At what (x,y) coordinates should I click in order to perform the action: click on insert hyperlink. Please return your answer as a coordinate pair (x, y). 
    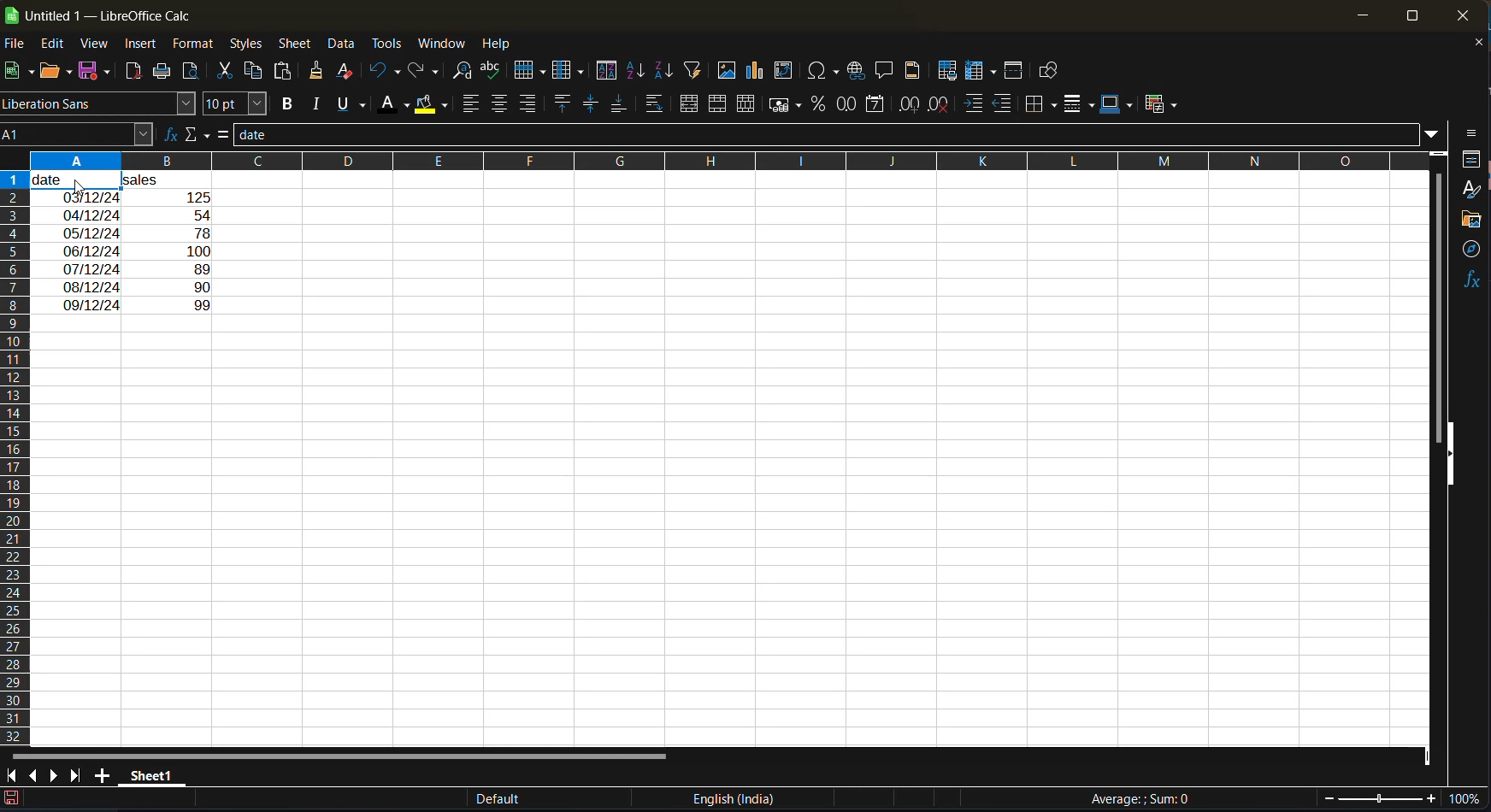
    Looking at the image, I should click on (857, 73).